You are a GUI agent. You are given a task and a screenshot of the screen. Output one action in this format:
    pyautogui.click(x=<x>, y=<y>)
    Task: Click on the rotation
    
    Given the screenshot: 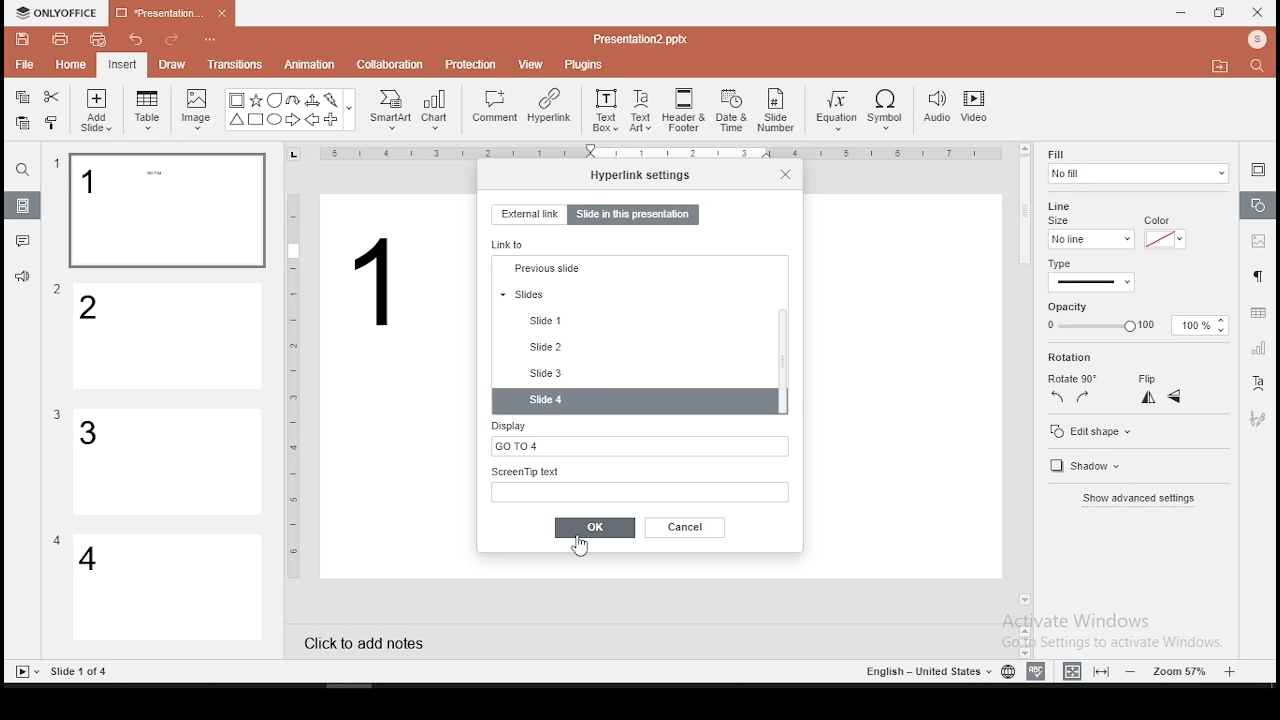 What is the action you would take?
    pyautogui.click(x=1103, y=358)
    